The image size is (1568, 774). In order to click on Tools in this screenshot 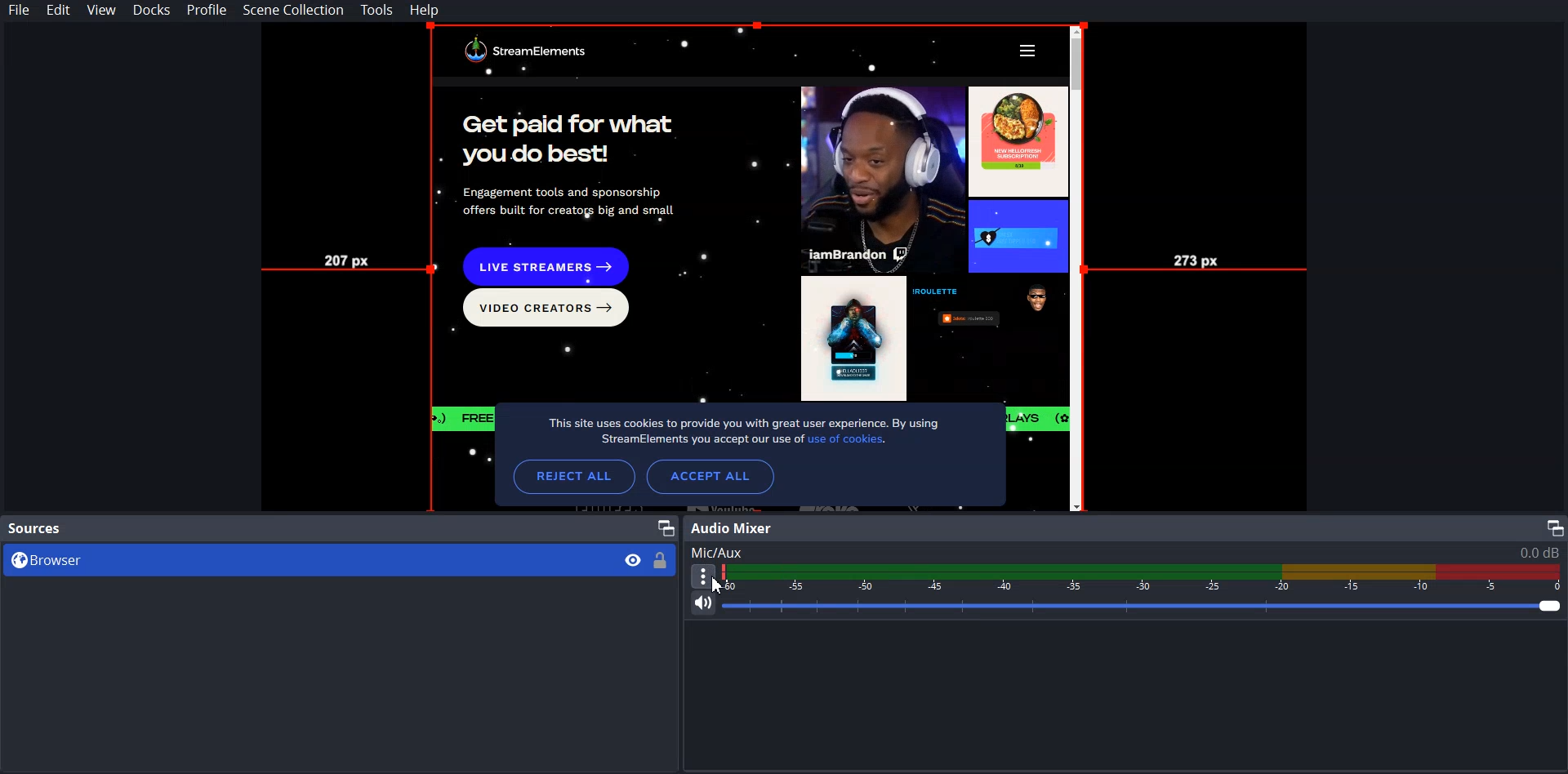, I will do `click(376, 11)`.